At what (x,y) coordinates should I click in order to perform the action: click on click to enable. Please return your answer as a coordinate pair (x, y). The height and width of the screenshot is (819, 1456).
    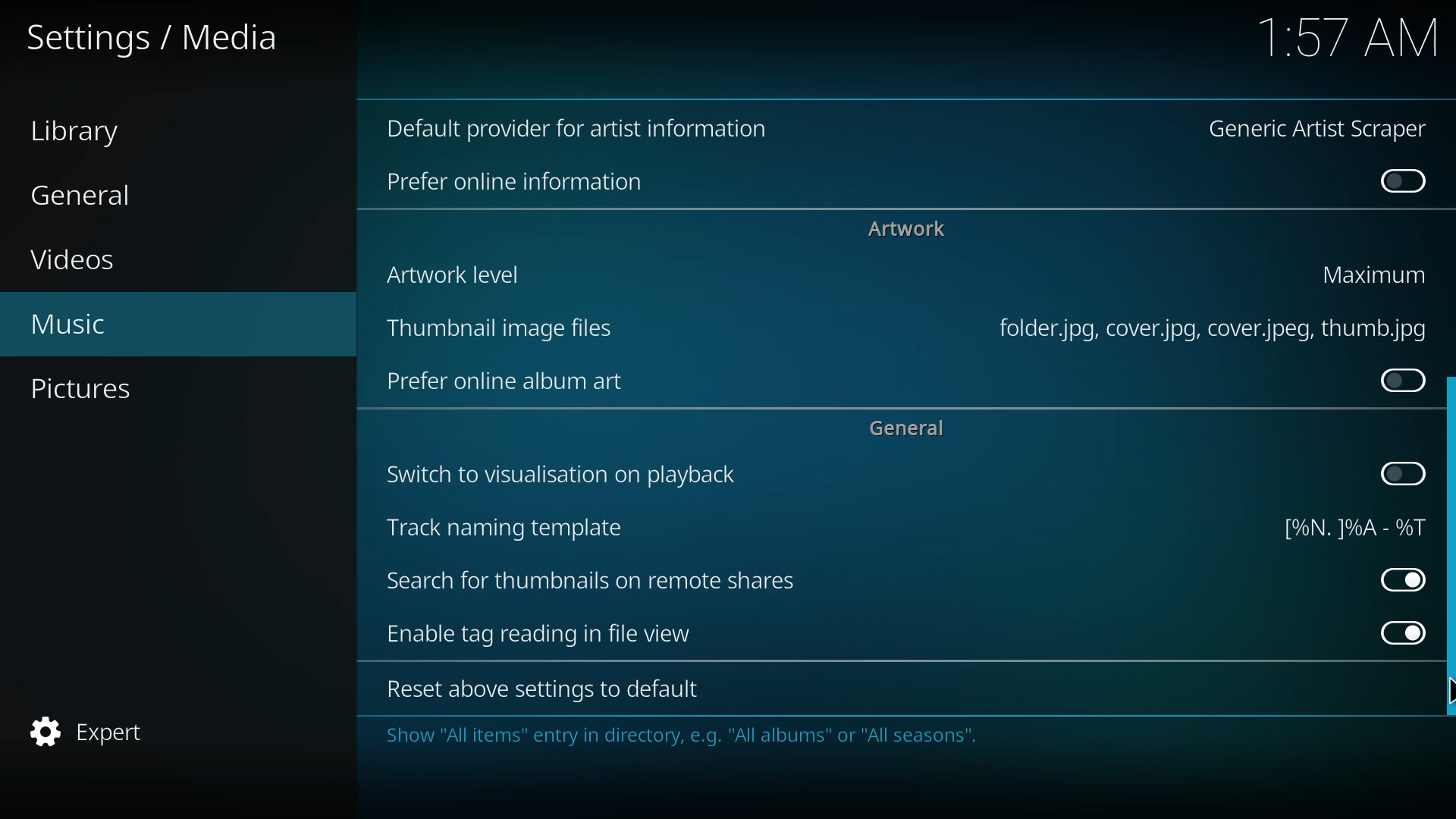
    Looking at the image, I should click on (1398, 472).